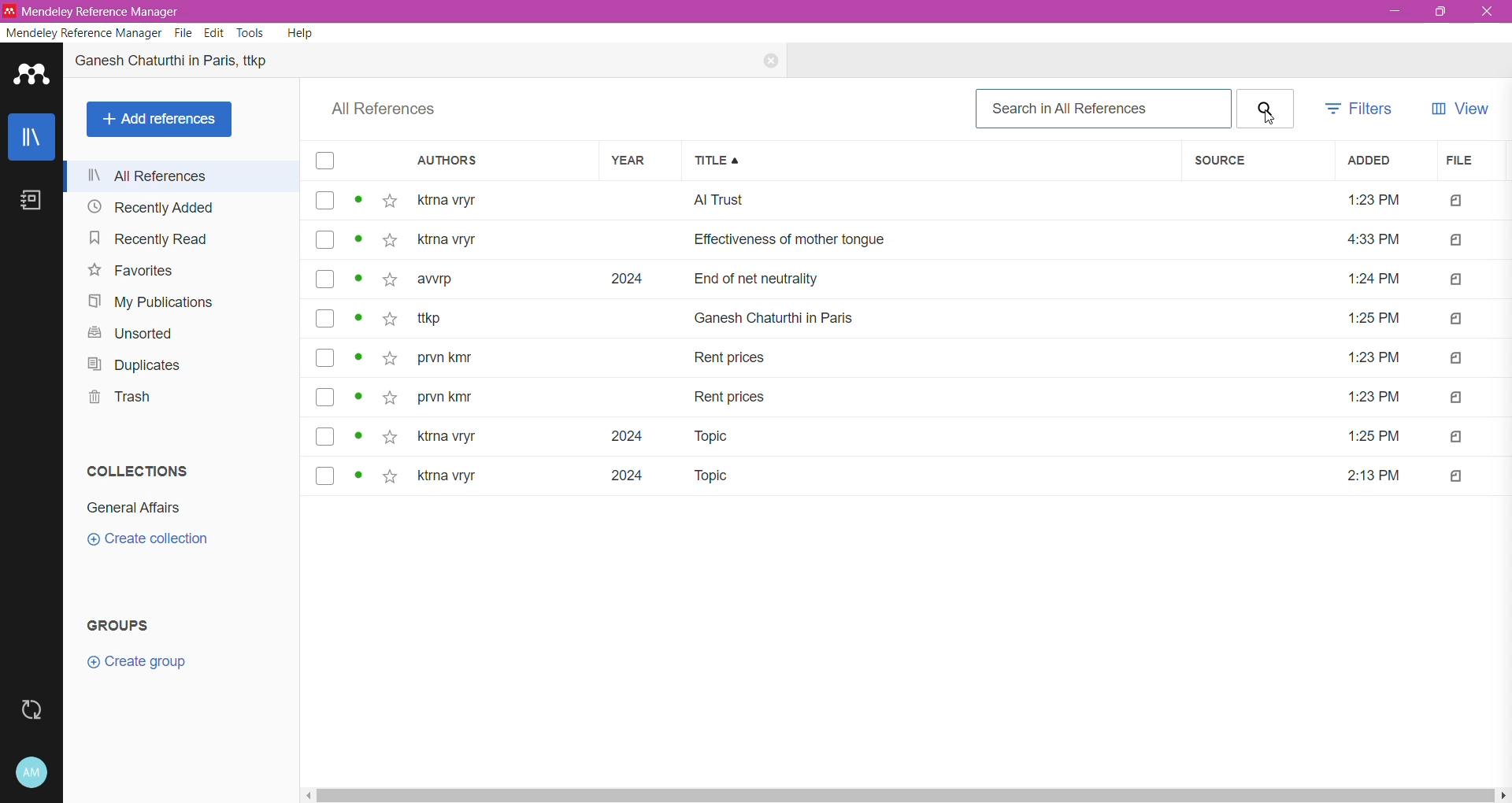 This screenshot has width=1512, height=803. I want to click on view status, so click(361, 279).